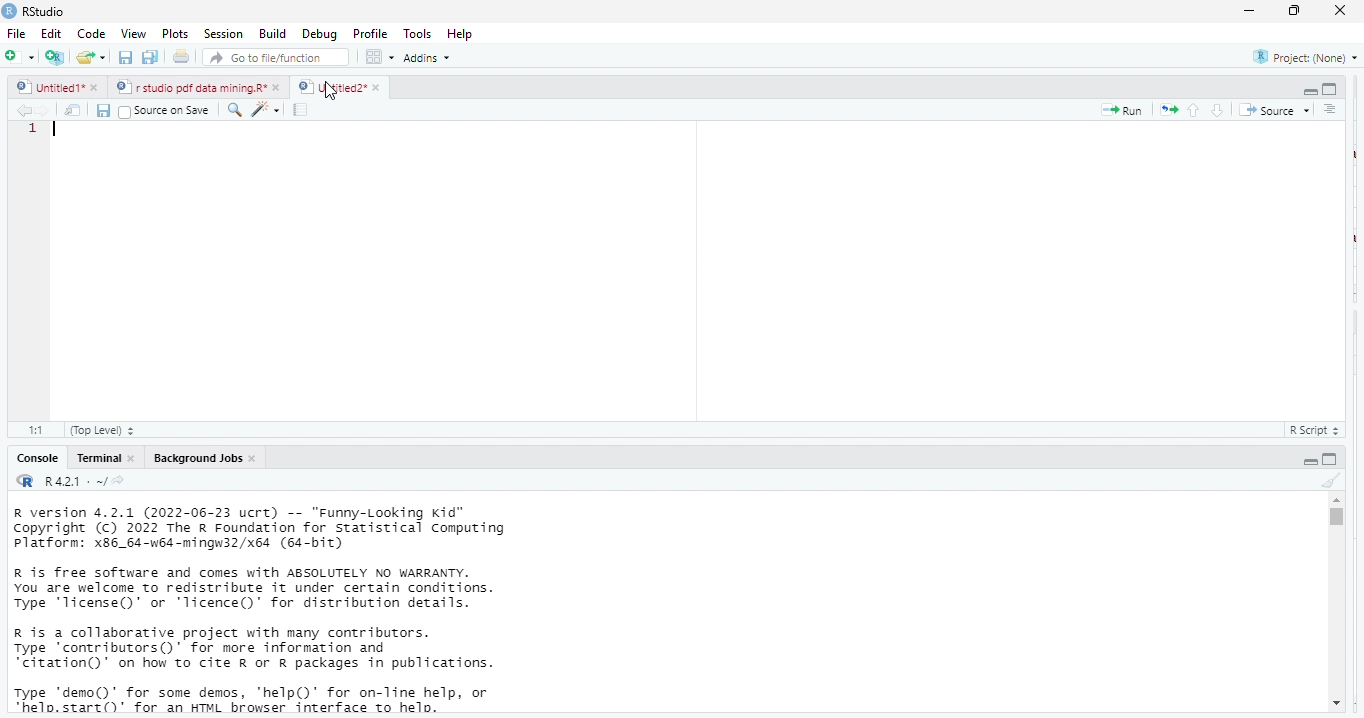  What do you see at coordinates (467, 33) in the screenshot?
I see `help` at bounding box center [467, 33].